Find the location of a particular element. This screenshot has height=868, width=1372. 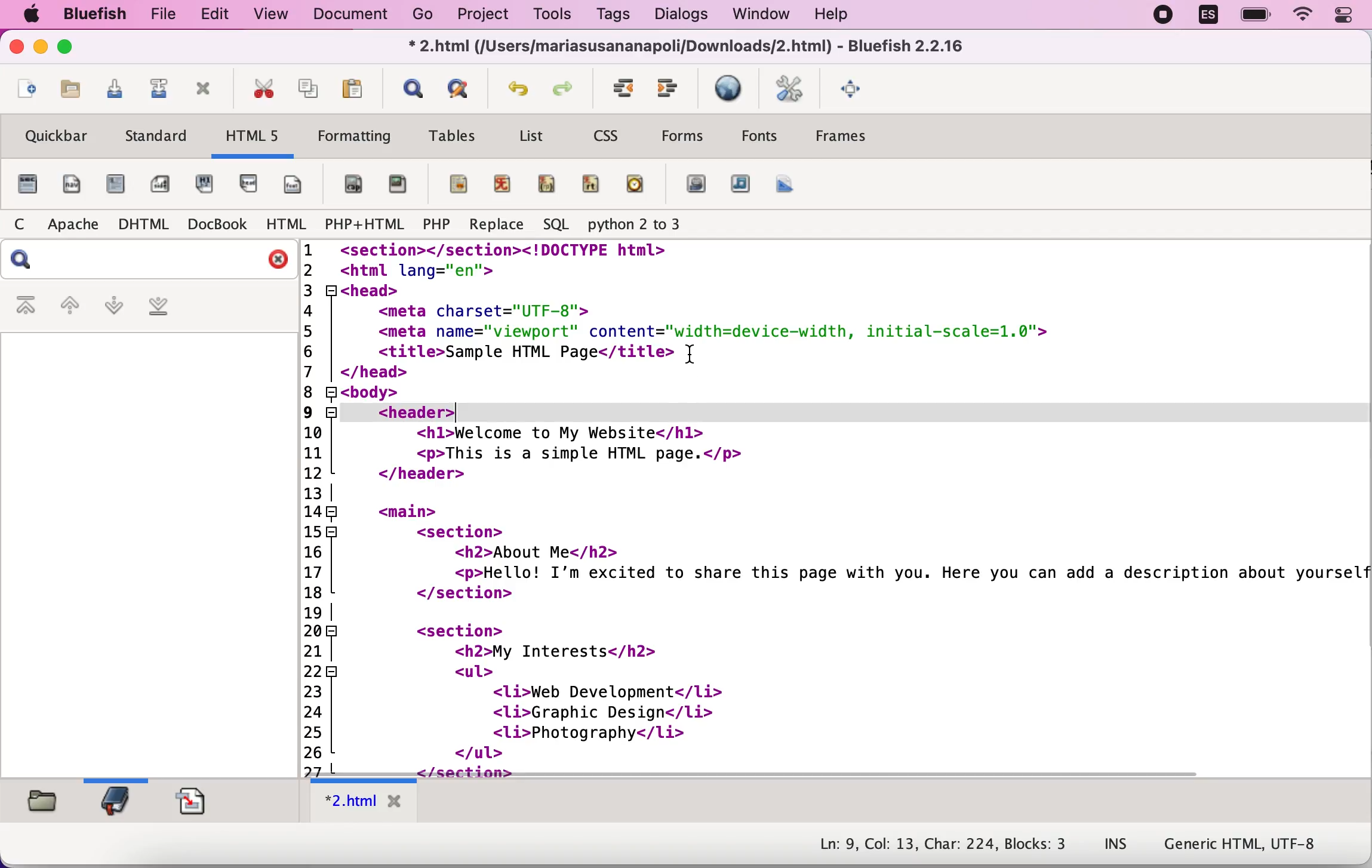

apache is located at coordinates (76, 223).